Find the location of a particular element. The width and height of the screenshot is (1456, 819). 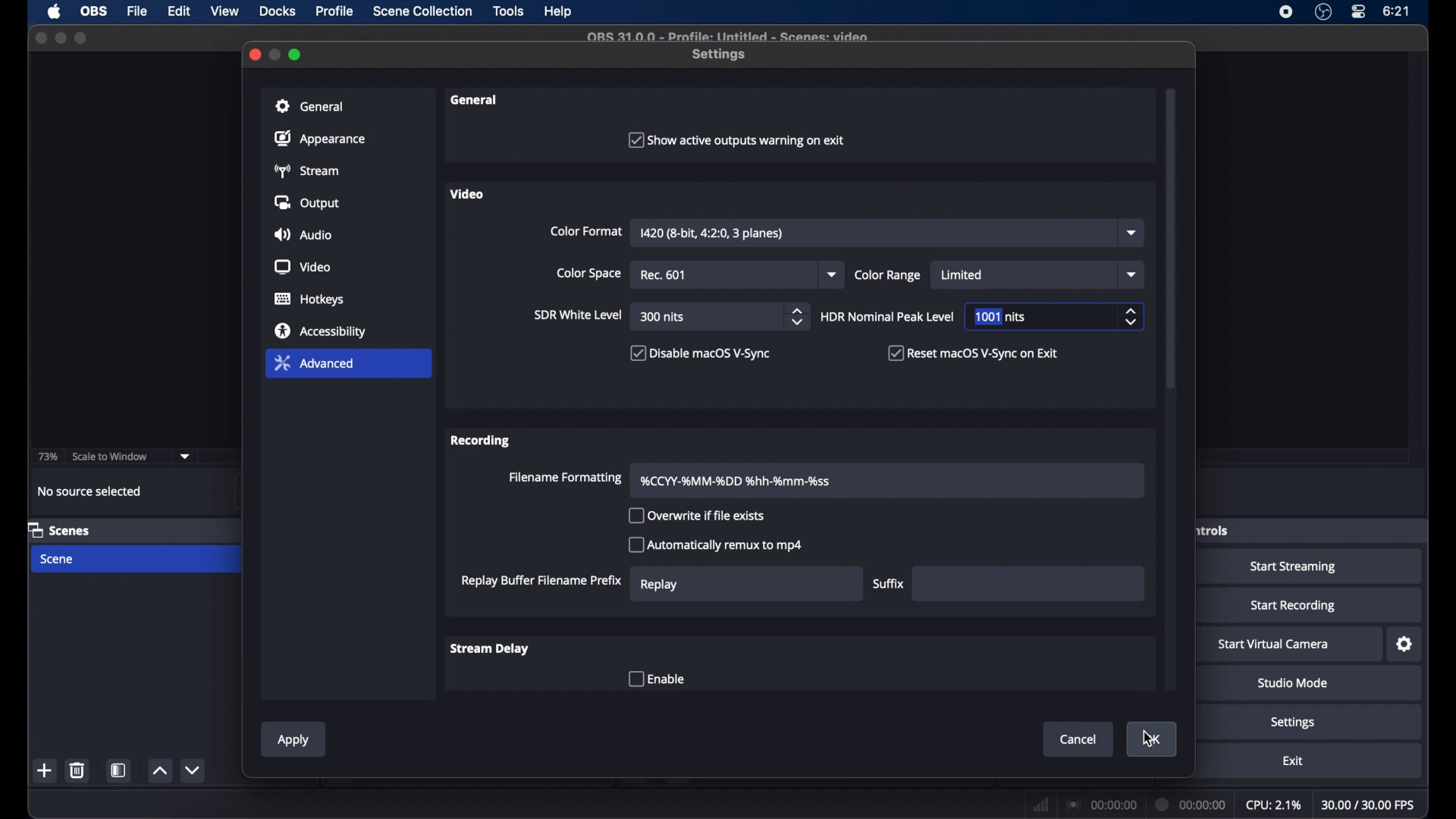

[") overwrite if file exists is located at coordinates (695, 515).